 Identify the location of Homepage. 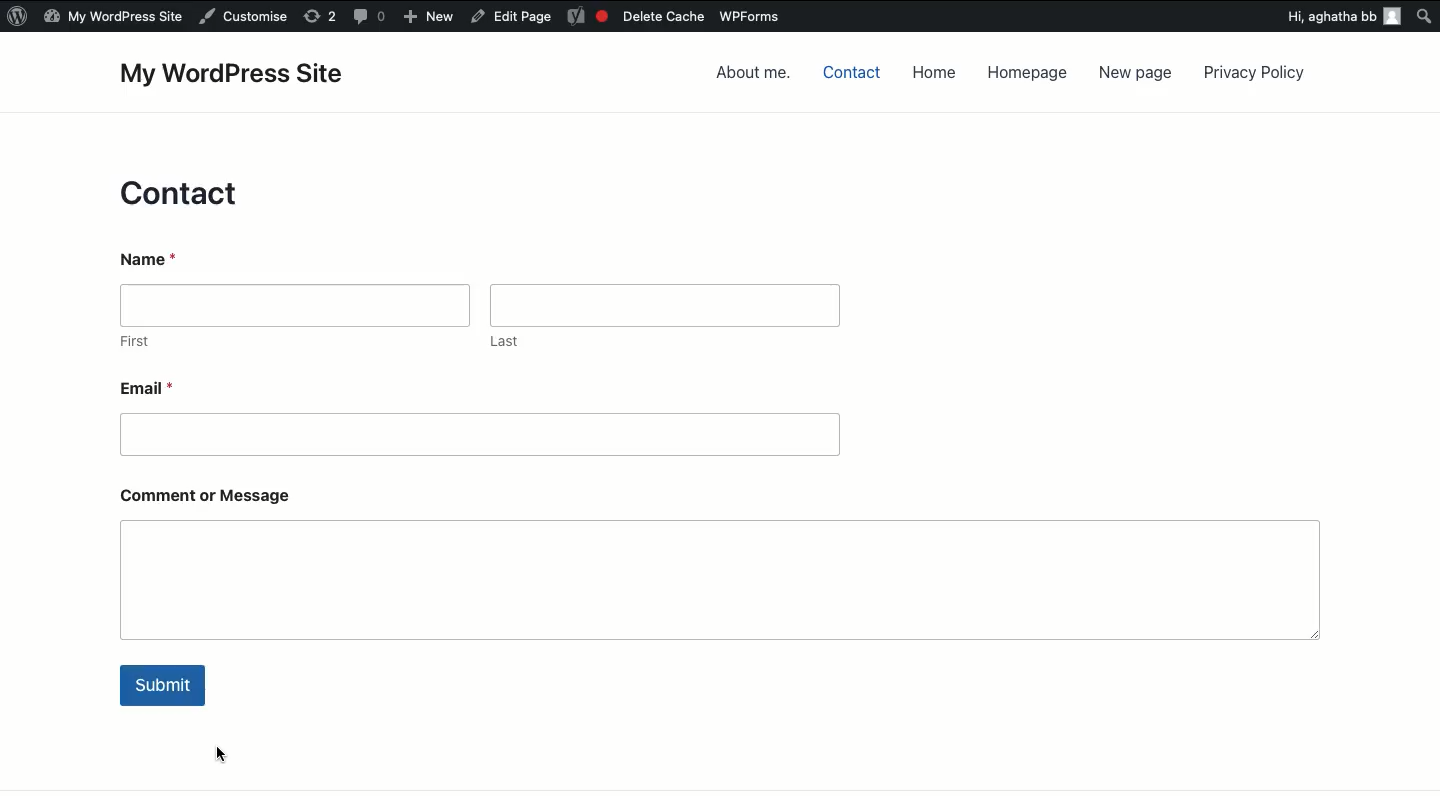
(1031, 72).